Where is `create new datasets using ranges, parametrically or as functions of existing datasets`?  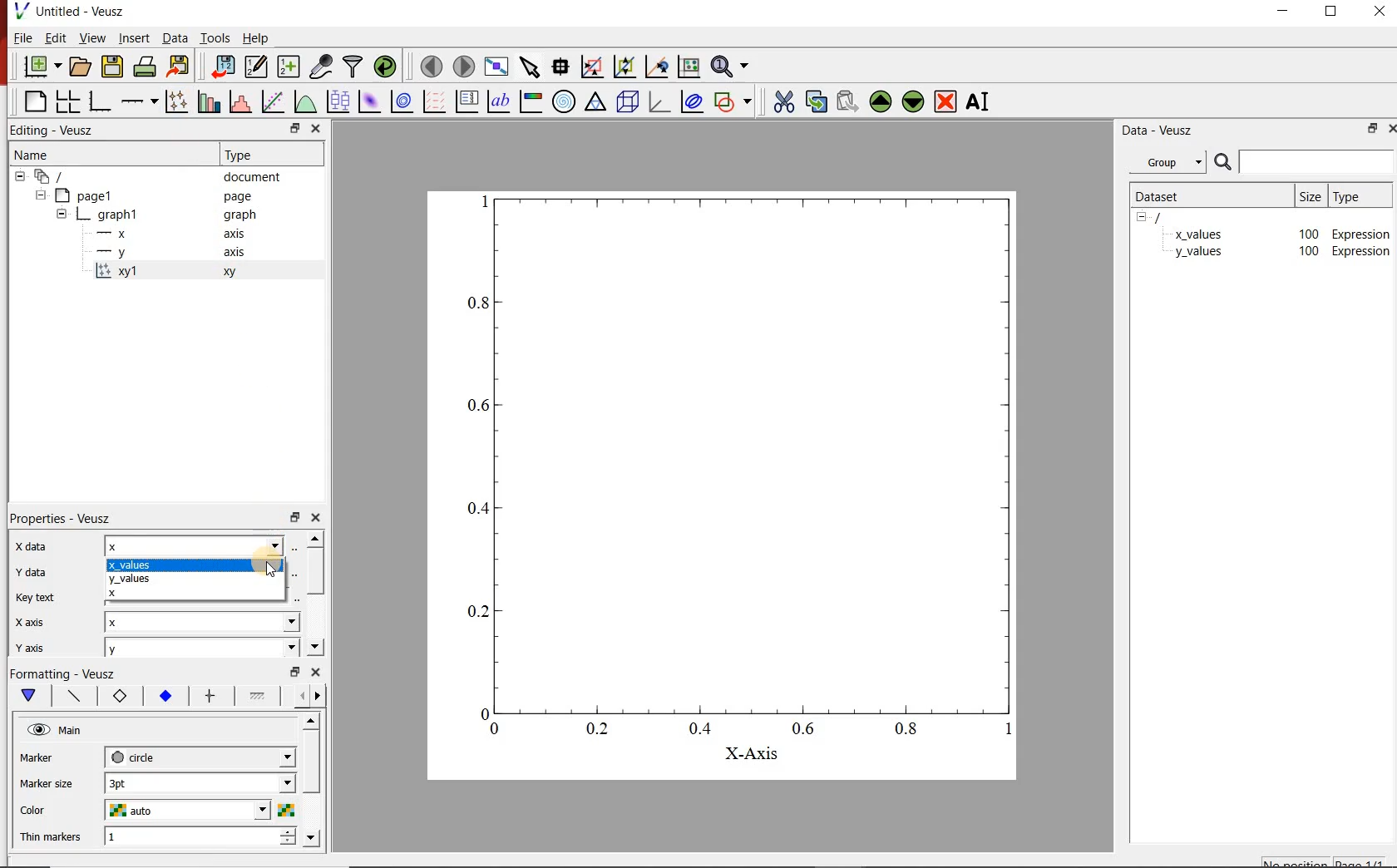
create new datasets using ranges, parametrically or as functions of existing datasets is located at coordinates (291, 67).